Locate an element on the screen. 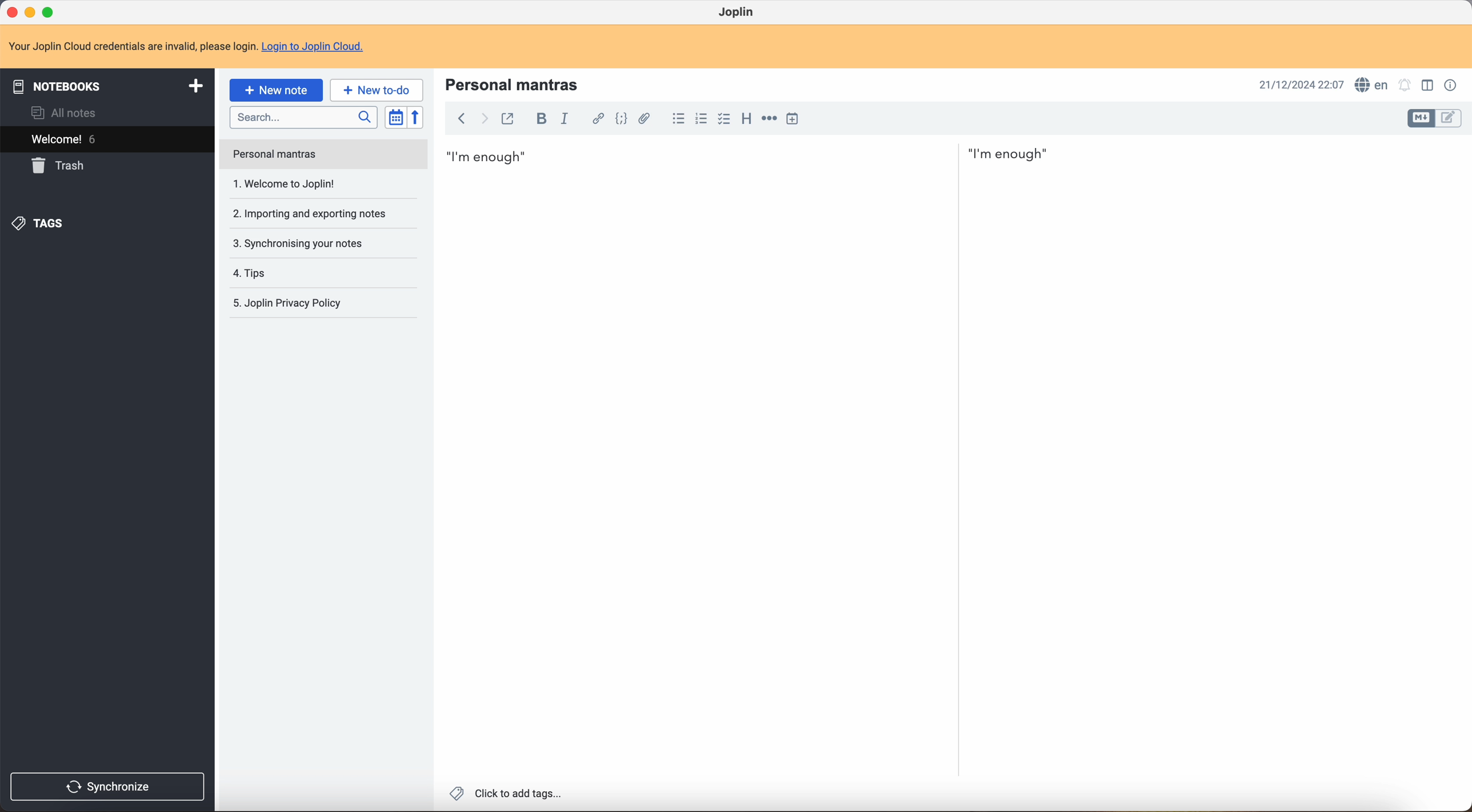  close program is located at coordinates (11, 13).